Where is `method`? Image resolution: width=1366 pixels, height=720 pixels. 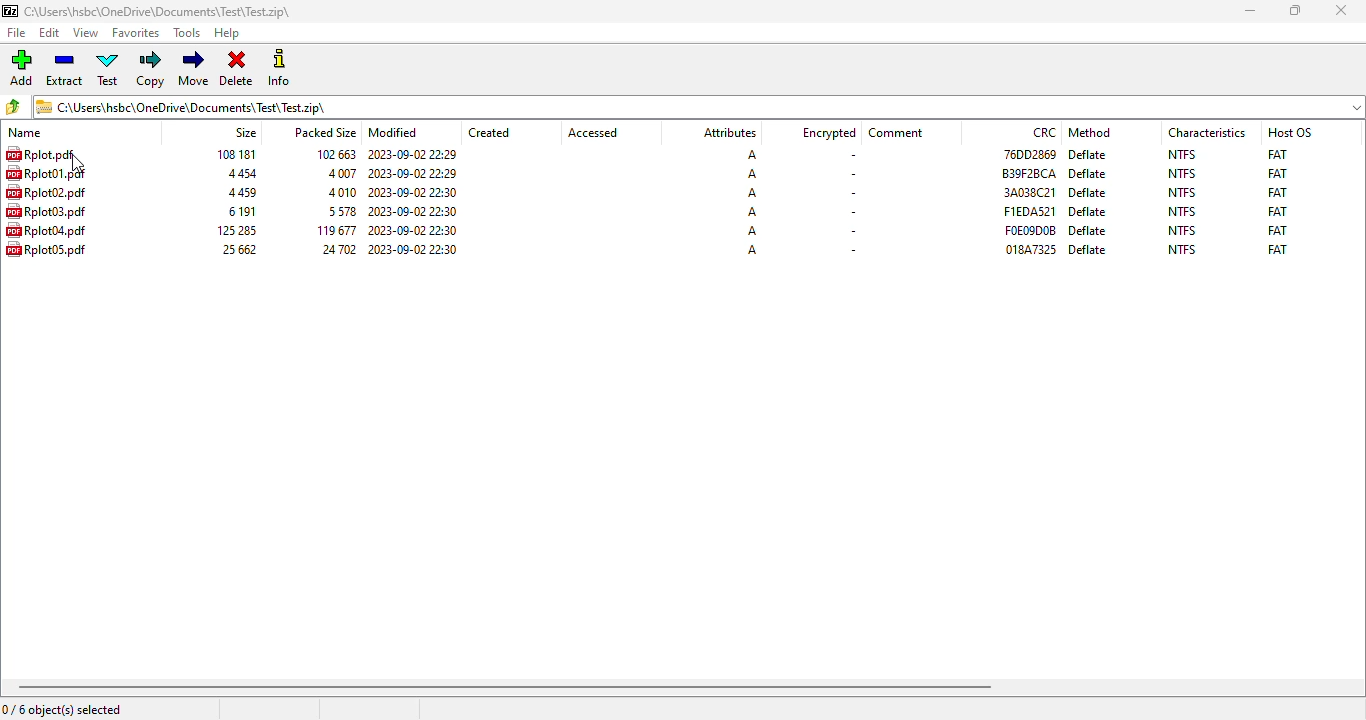
method is located at coordinates (1089, 132).